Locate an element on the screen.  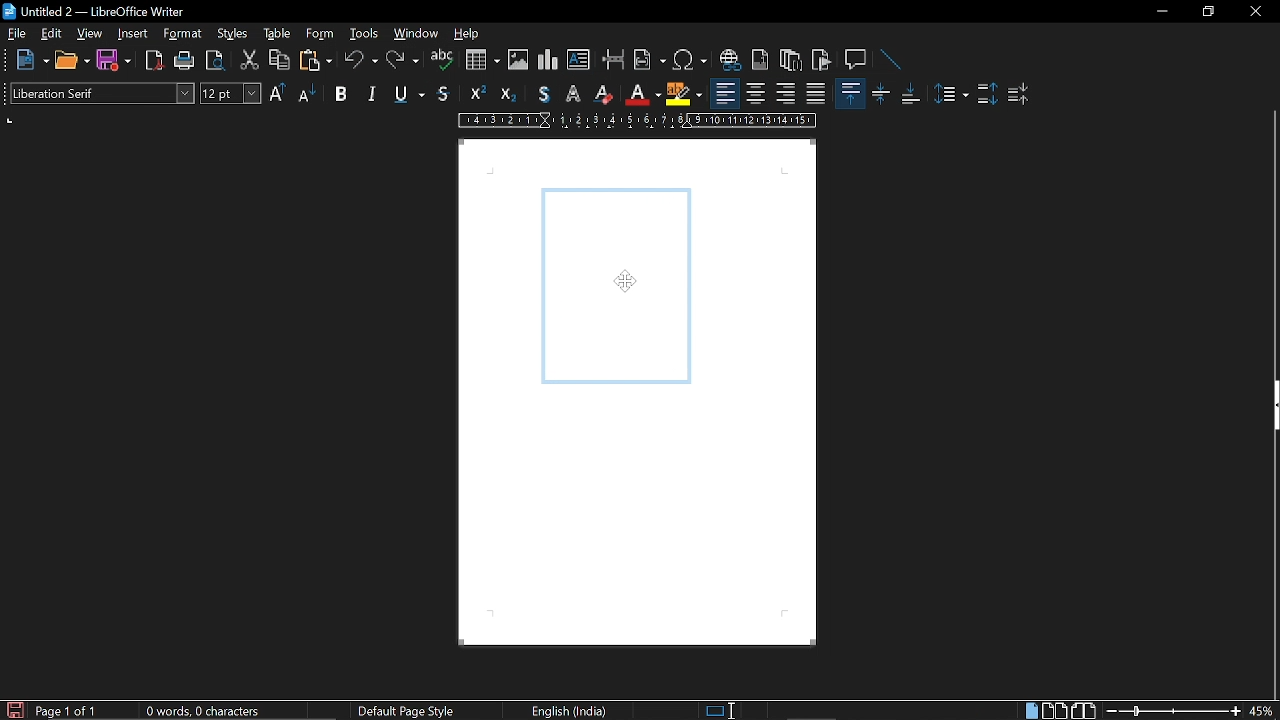
view is located at coordinates (90, 34).